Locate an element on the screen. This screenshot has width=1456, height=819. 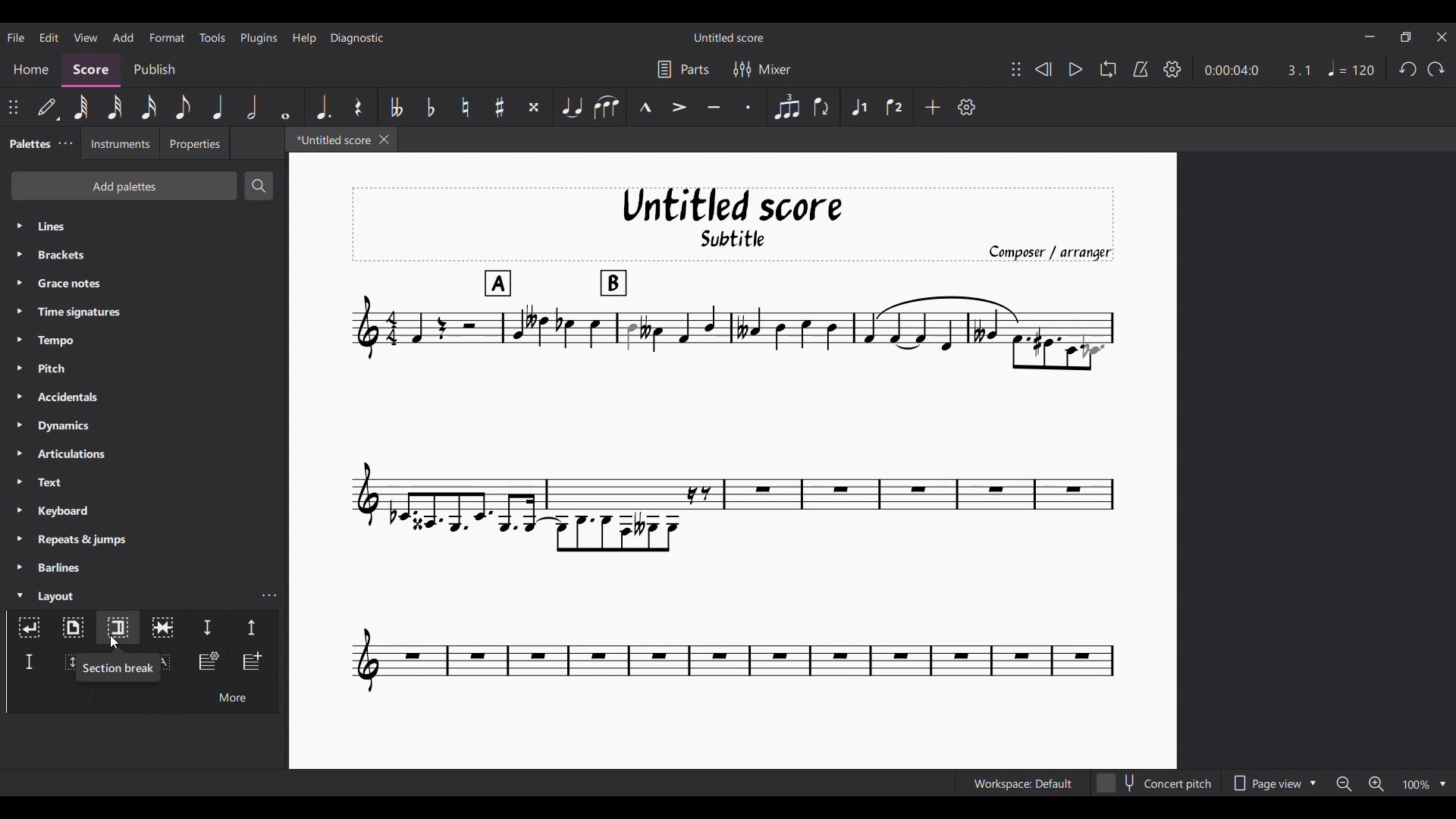
*Untitled score, current tab is located at coordinates (331, 139).